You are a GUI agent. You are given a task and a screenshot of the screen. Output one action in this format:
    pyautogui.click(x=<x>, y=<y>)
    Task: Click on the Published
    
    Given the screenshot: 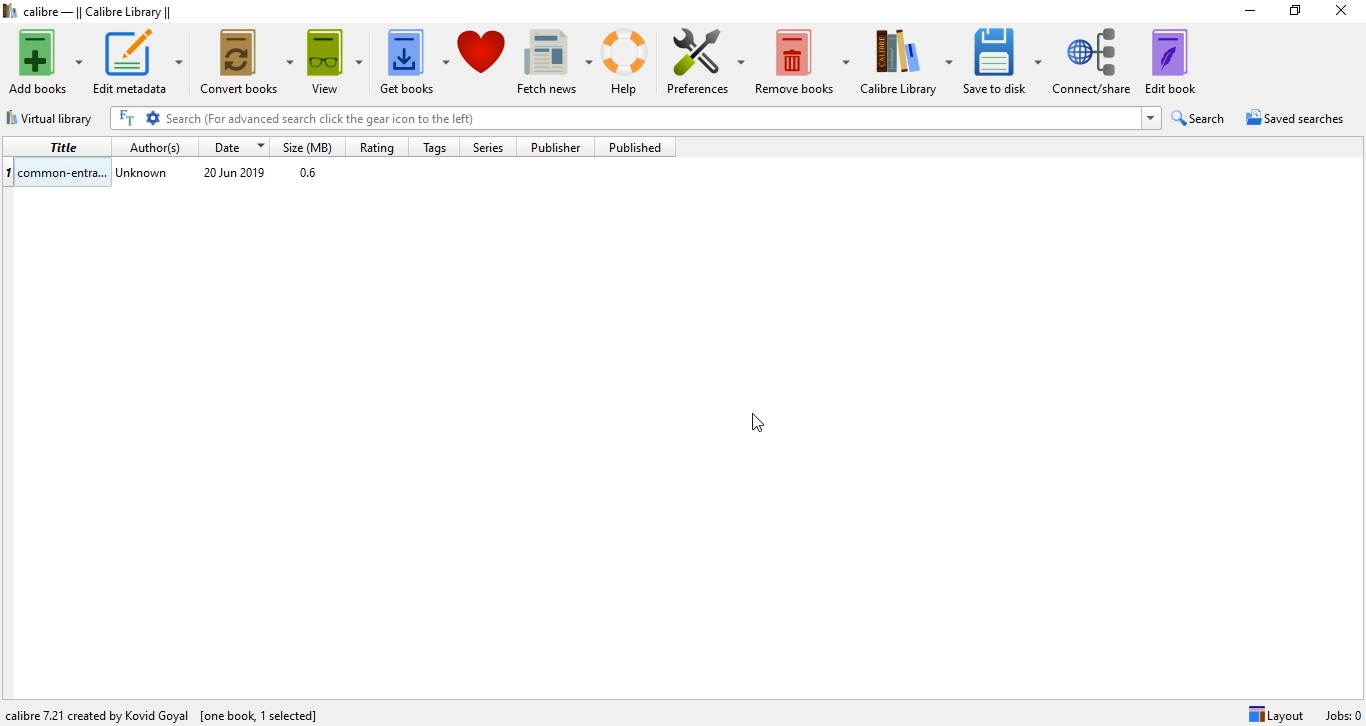 What is the action you would take?
    pyautogui.click(x=634, y=147)
    